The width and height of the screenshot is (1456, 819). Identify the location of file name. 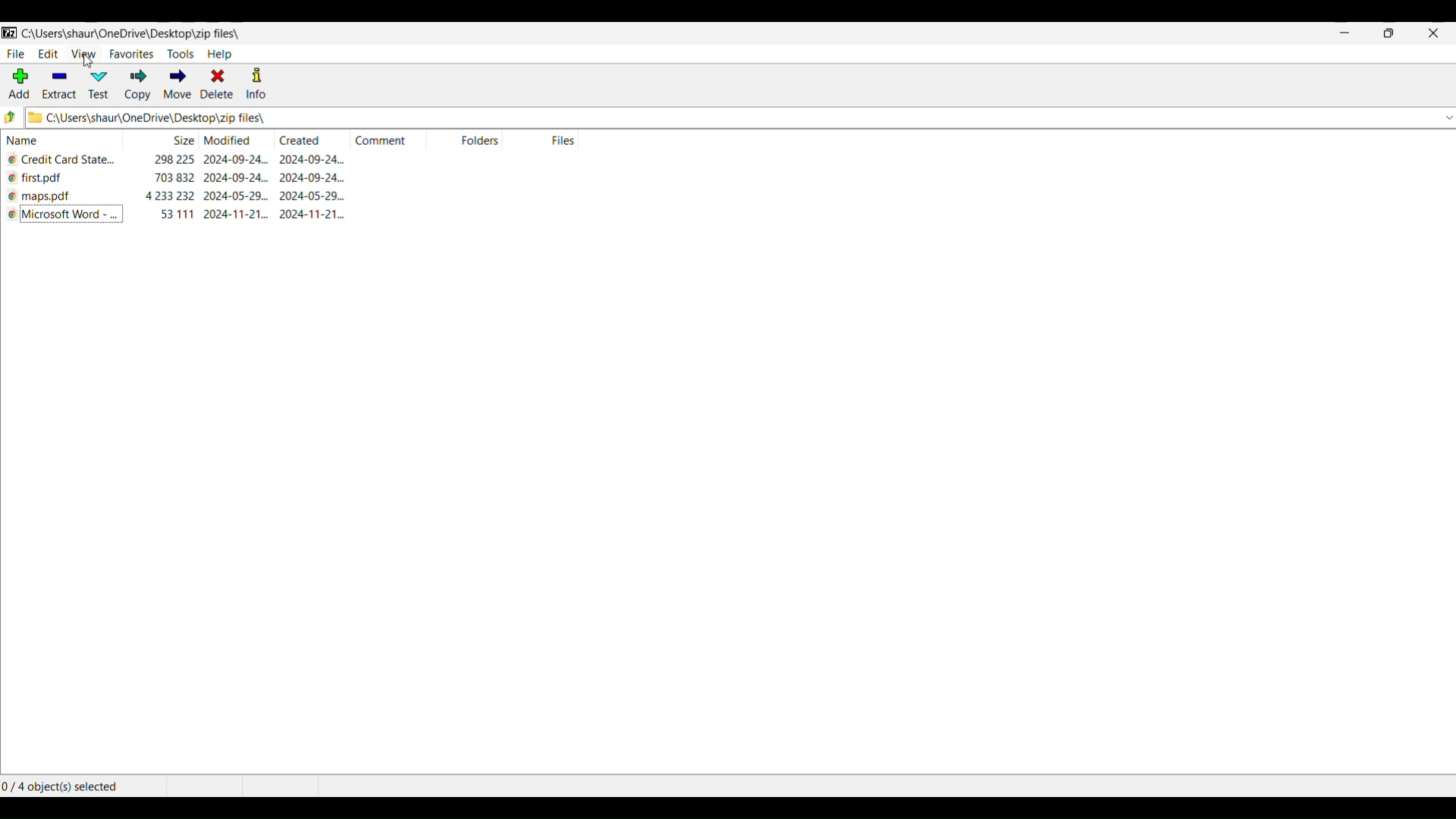
(71, 180).